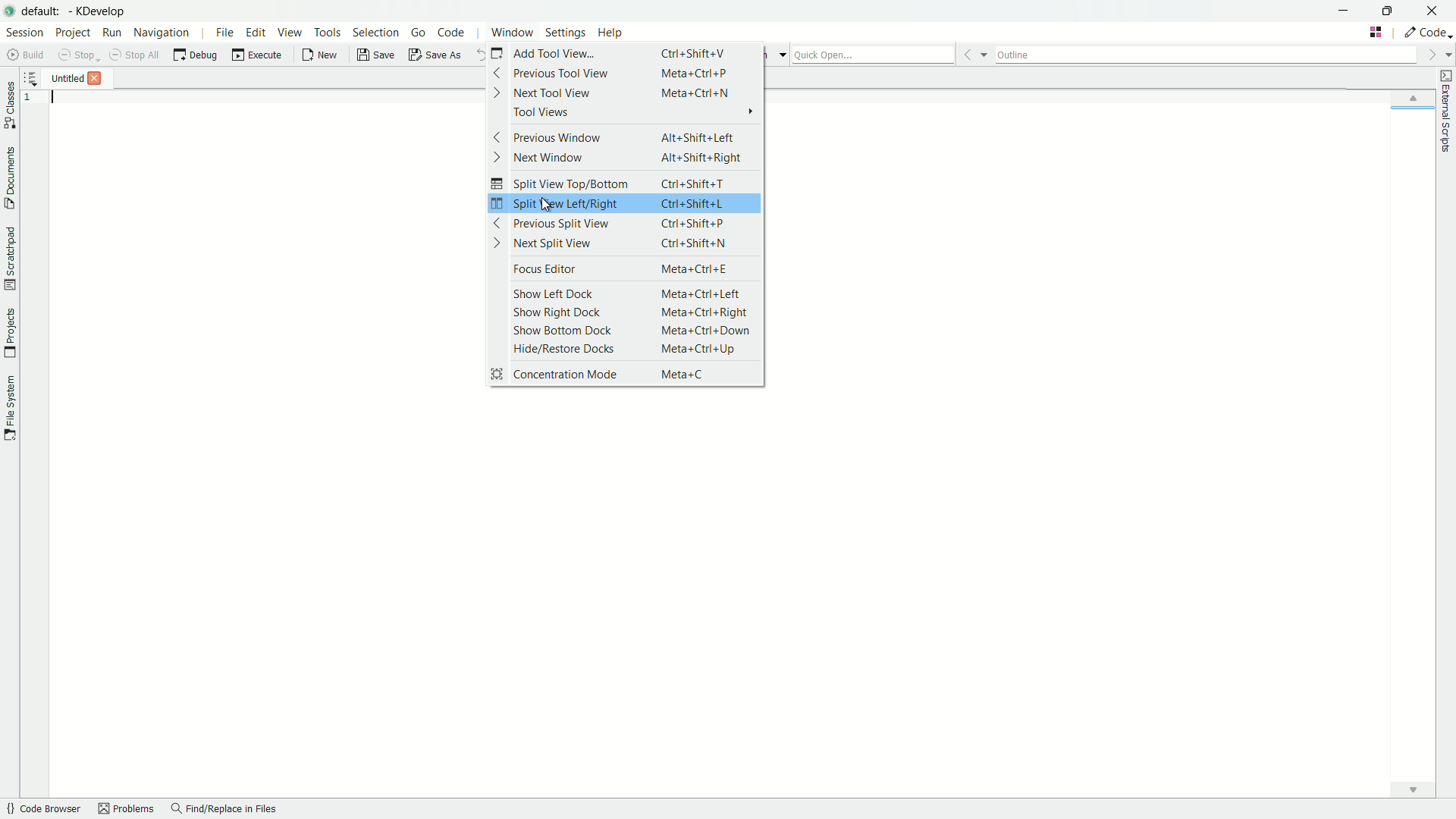  What do you see at coordinates (548, 208) in the screenshot?
I see `cursor` at bounding box center [548, 208].